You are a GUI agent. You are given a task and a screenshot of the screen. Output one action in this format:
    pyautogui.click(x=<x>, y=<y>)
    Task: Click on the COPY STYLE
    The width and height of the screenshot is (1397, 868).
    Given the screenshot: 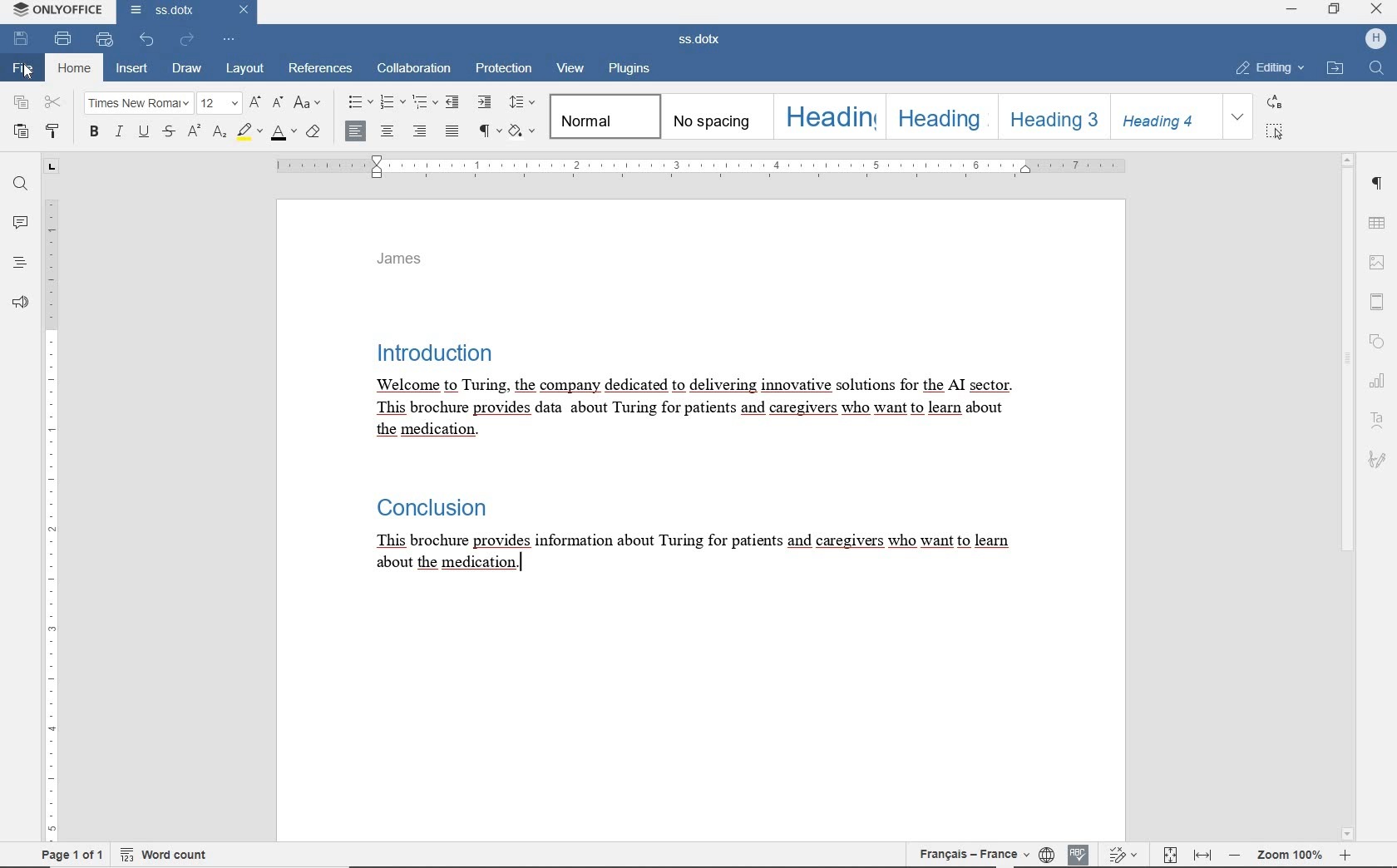 What is the action you would take?
    pyautogui.click(x=52, y=131)
    